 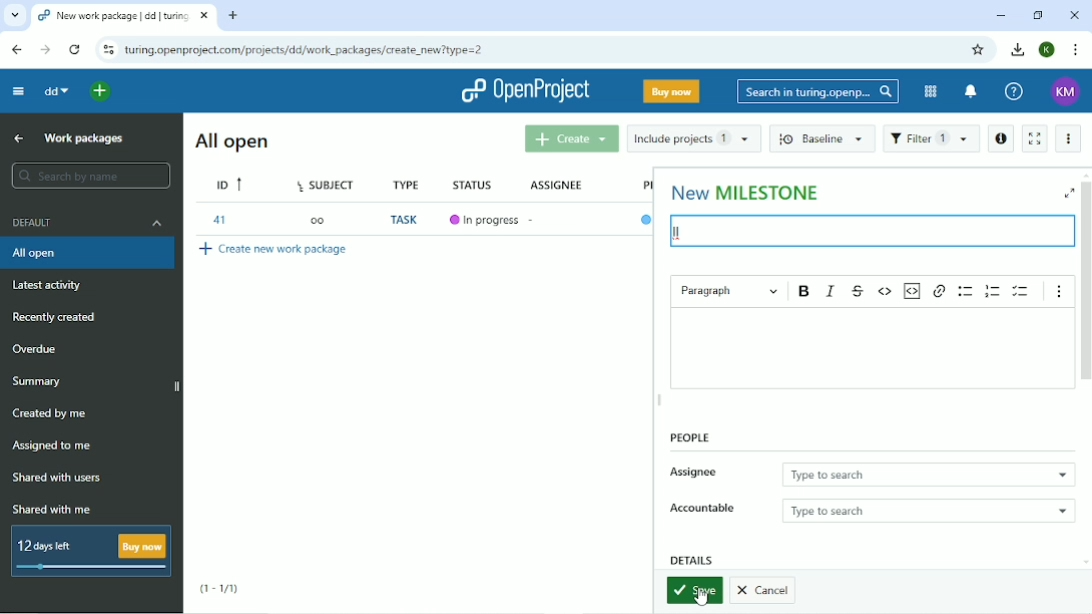 I want to click on Search by name, so click(x=92, y=175).